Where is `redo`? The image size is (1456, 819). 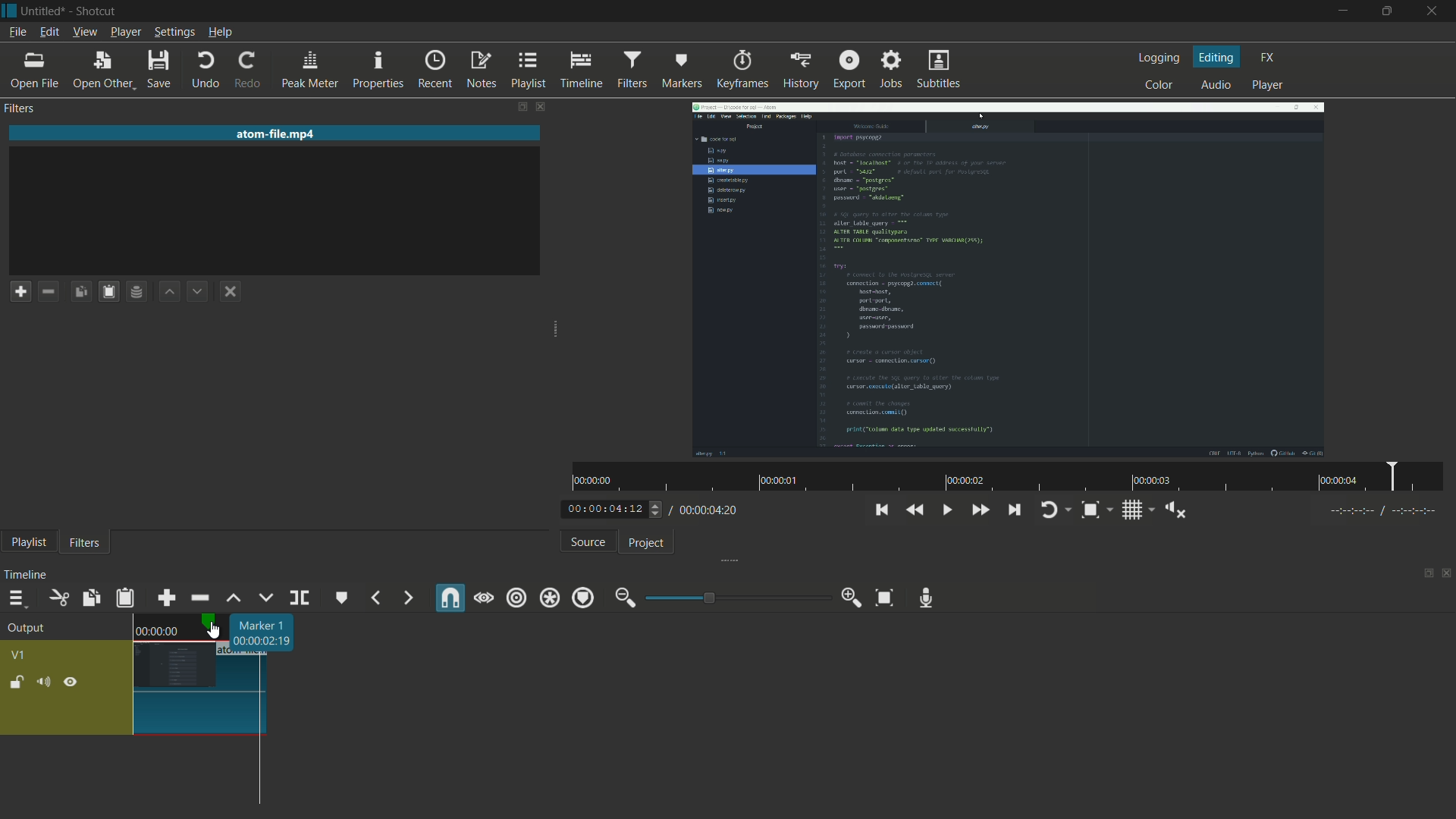
redo is located at coordinates (248, 70).